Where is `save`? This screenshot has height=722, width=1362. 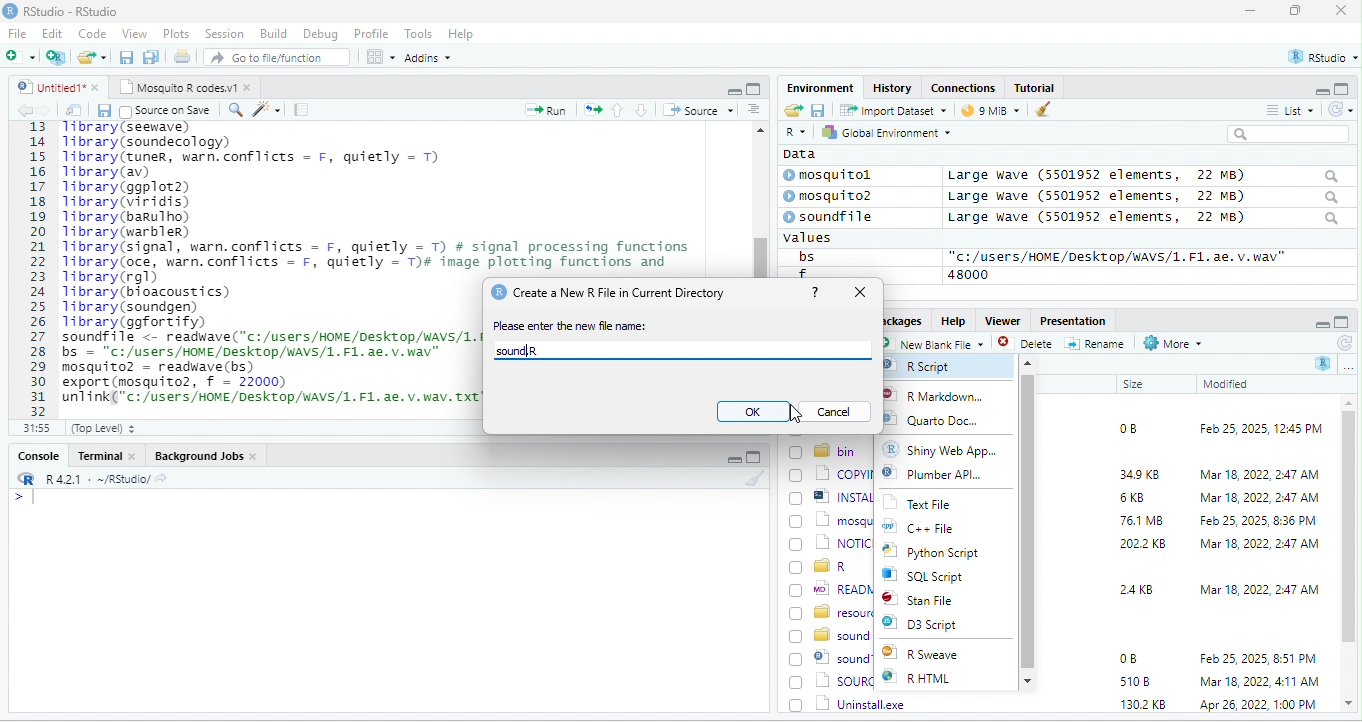
save is located at coordinates (817, 109).